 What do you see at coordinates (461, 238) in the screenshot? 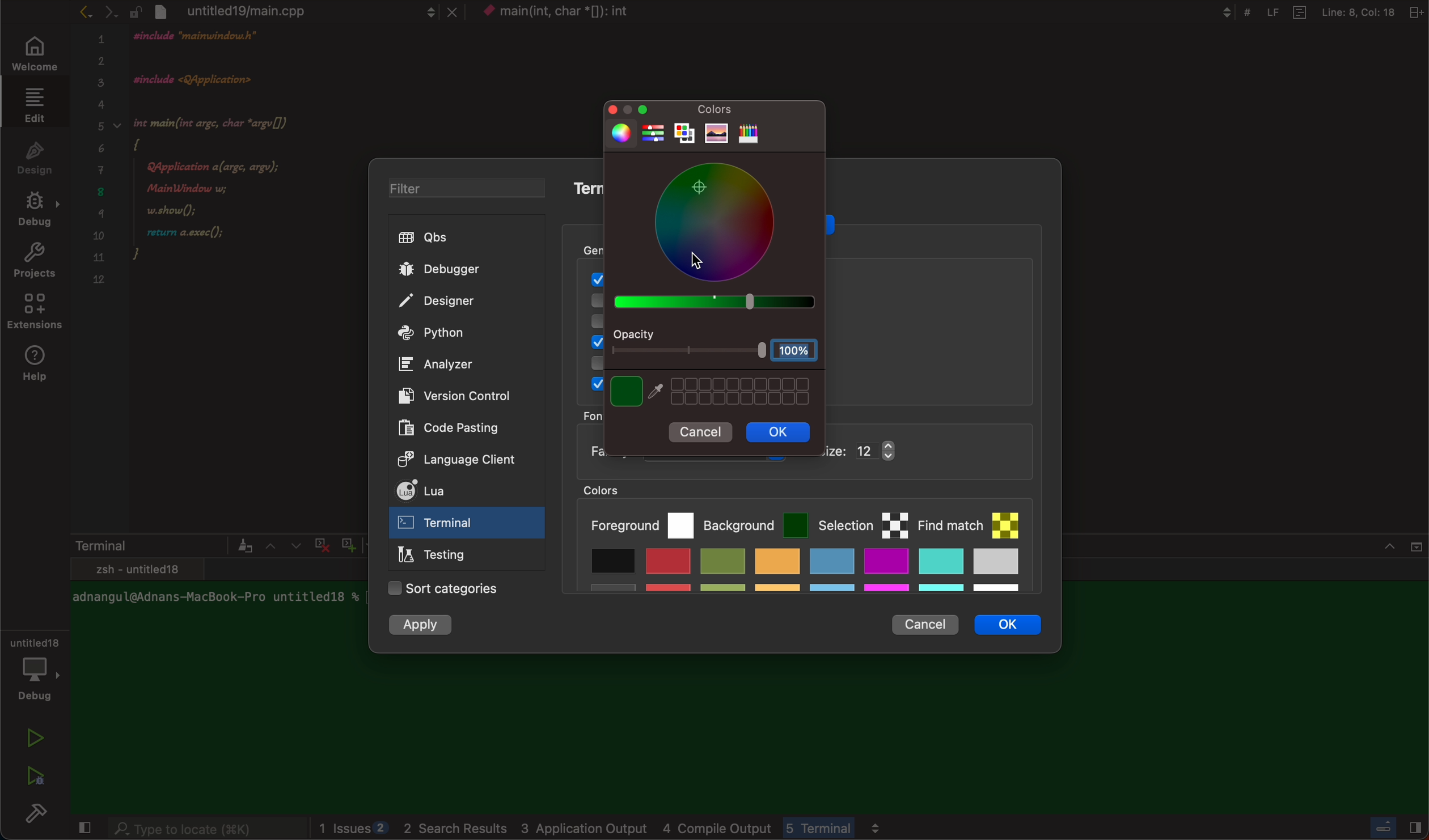
I see `qbs` at bounding box center [461, 238].